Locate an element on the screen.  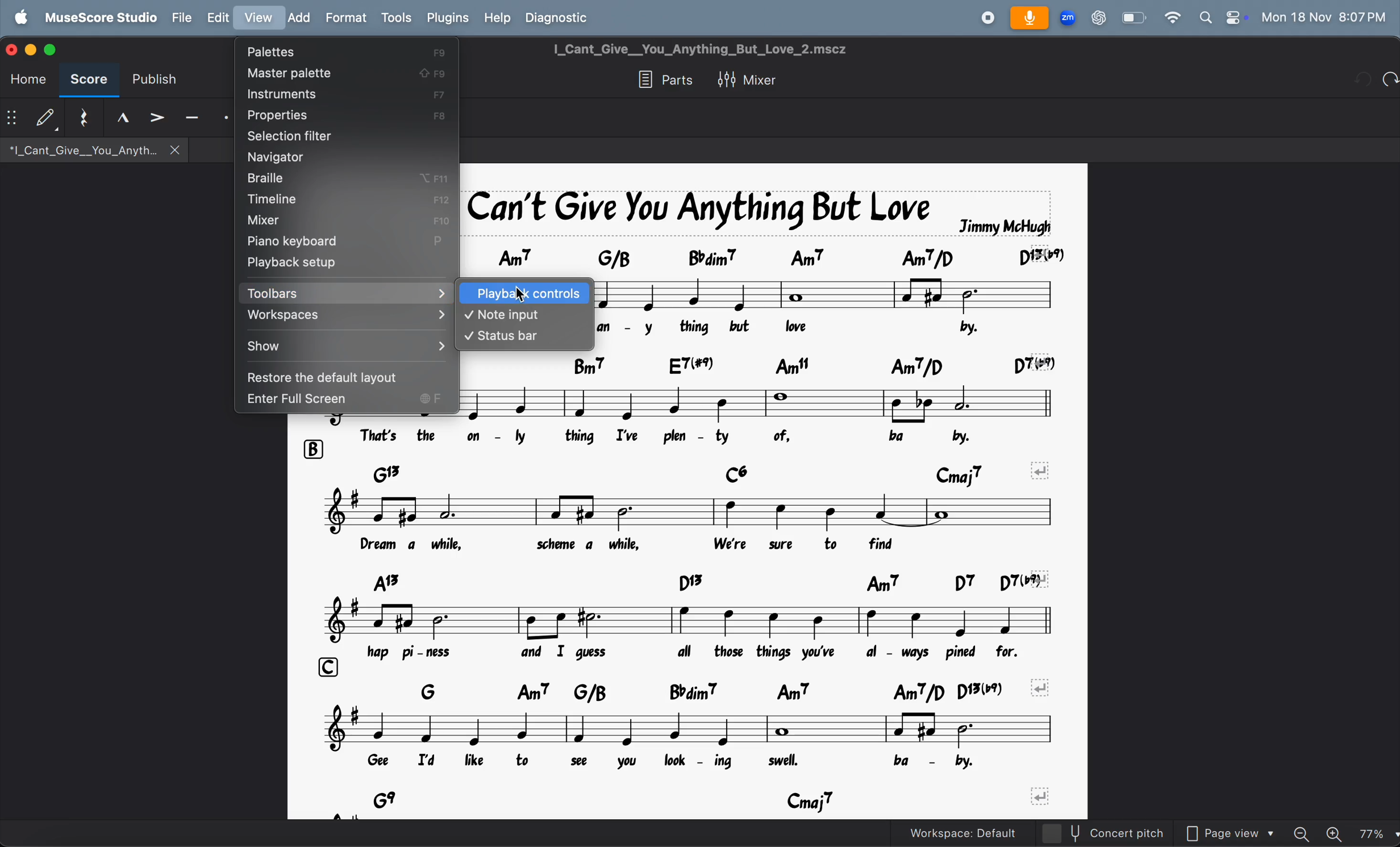
lyrics is located at coordinates (681, 545).